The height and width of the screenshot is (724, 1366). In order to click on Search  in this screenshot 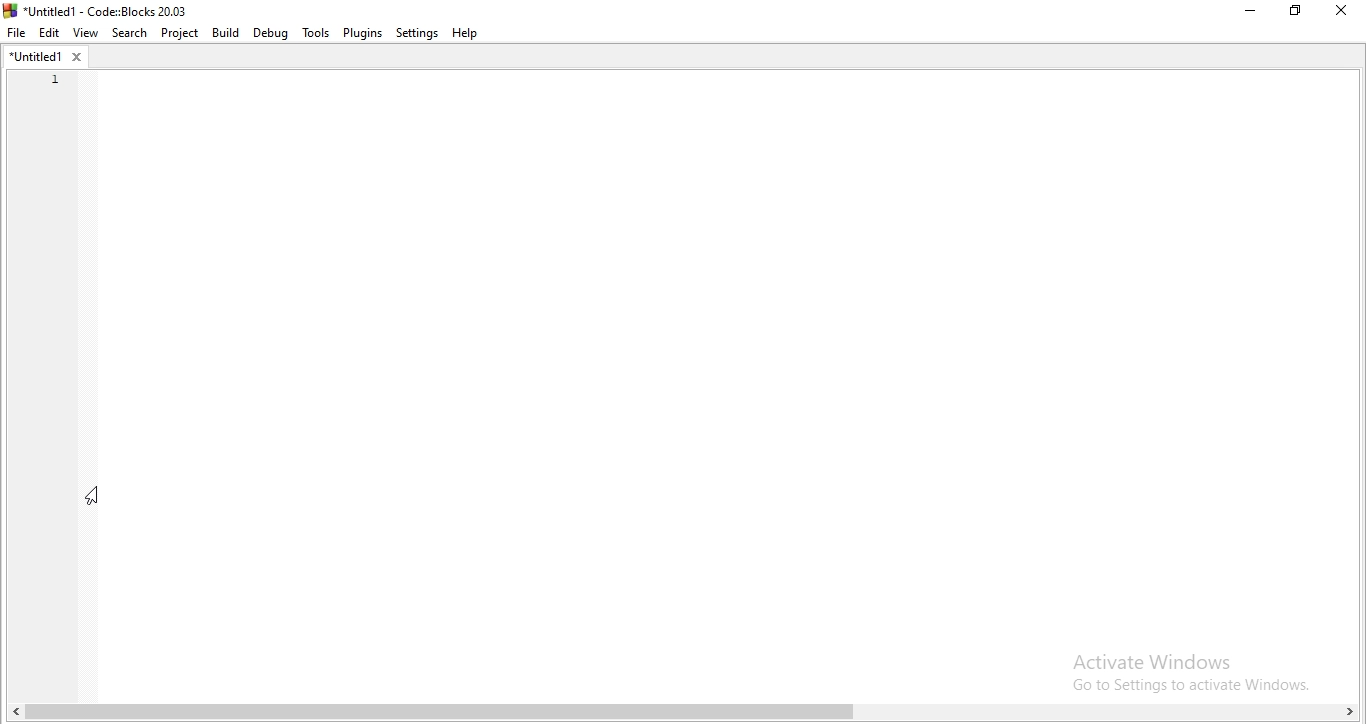, I will do `click(129, 34)`.